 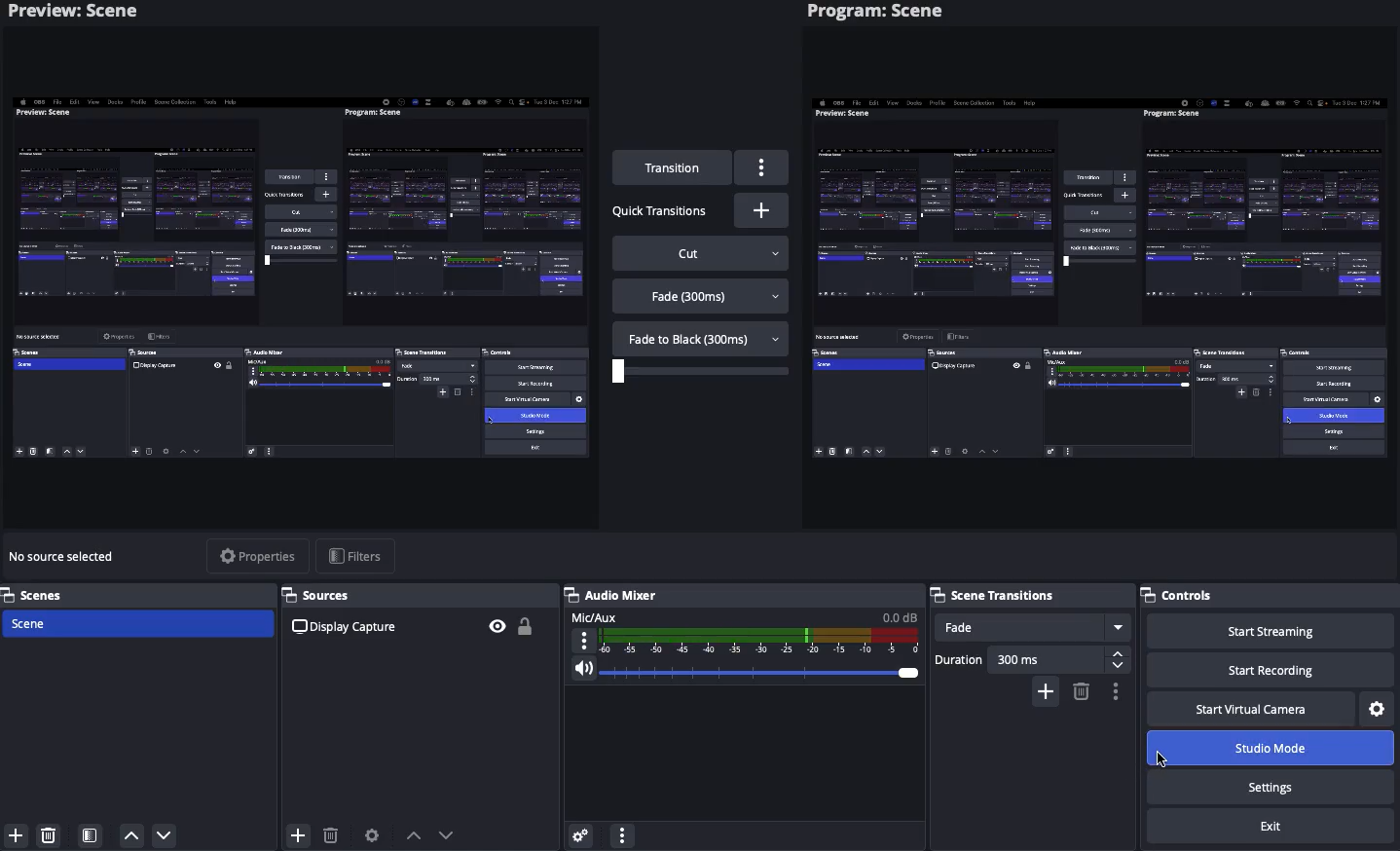 What do you see at coordinates (330, 830) in the screenshot?
I see `delete` at bounding box center [330, 830].